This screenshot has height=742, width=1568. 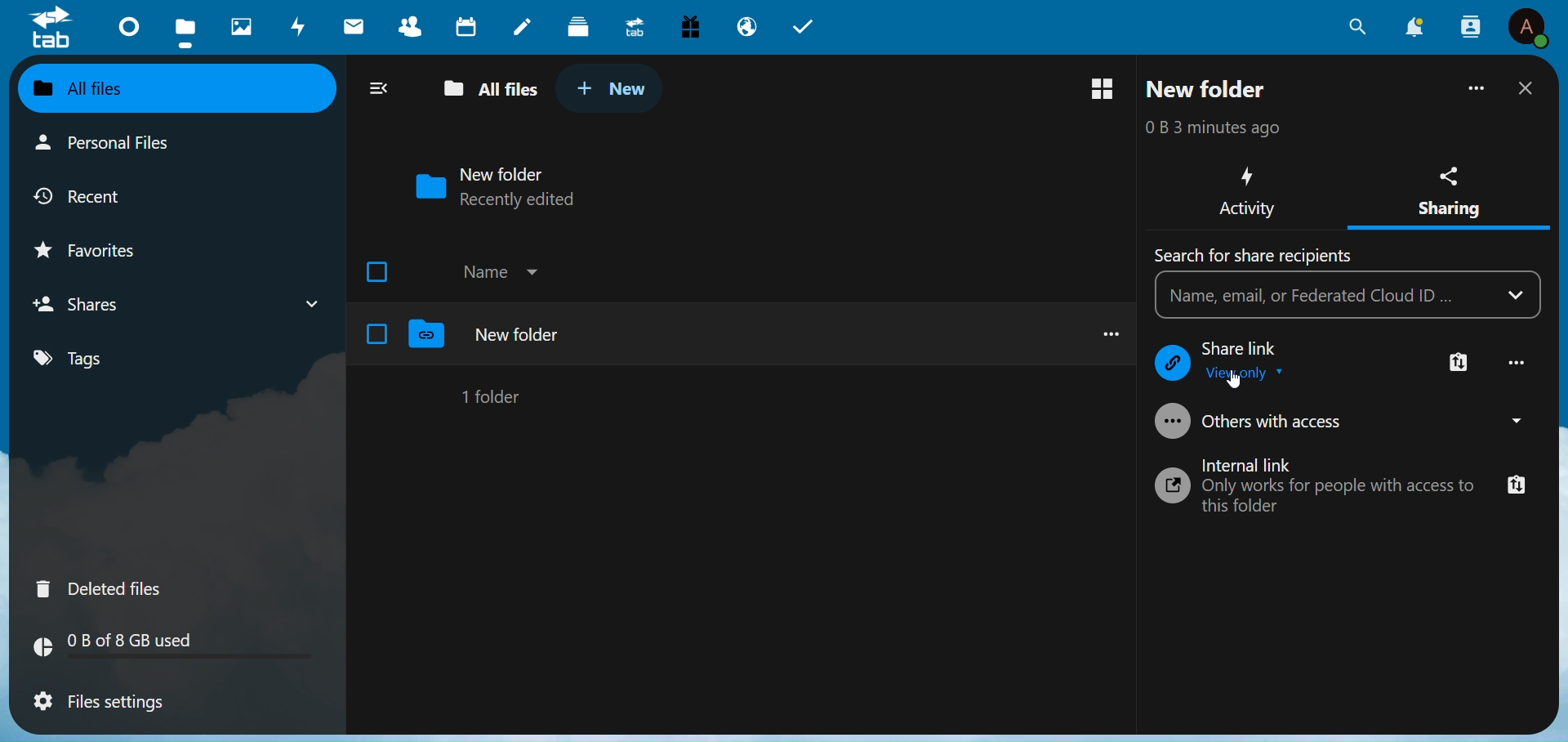 I want to click on more options, so click(x=1104, y=331).